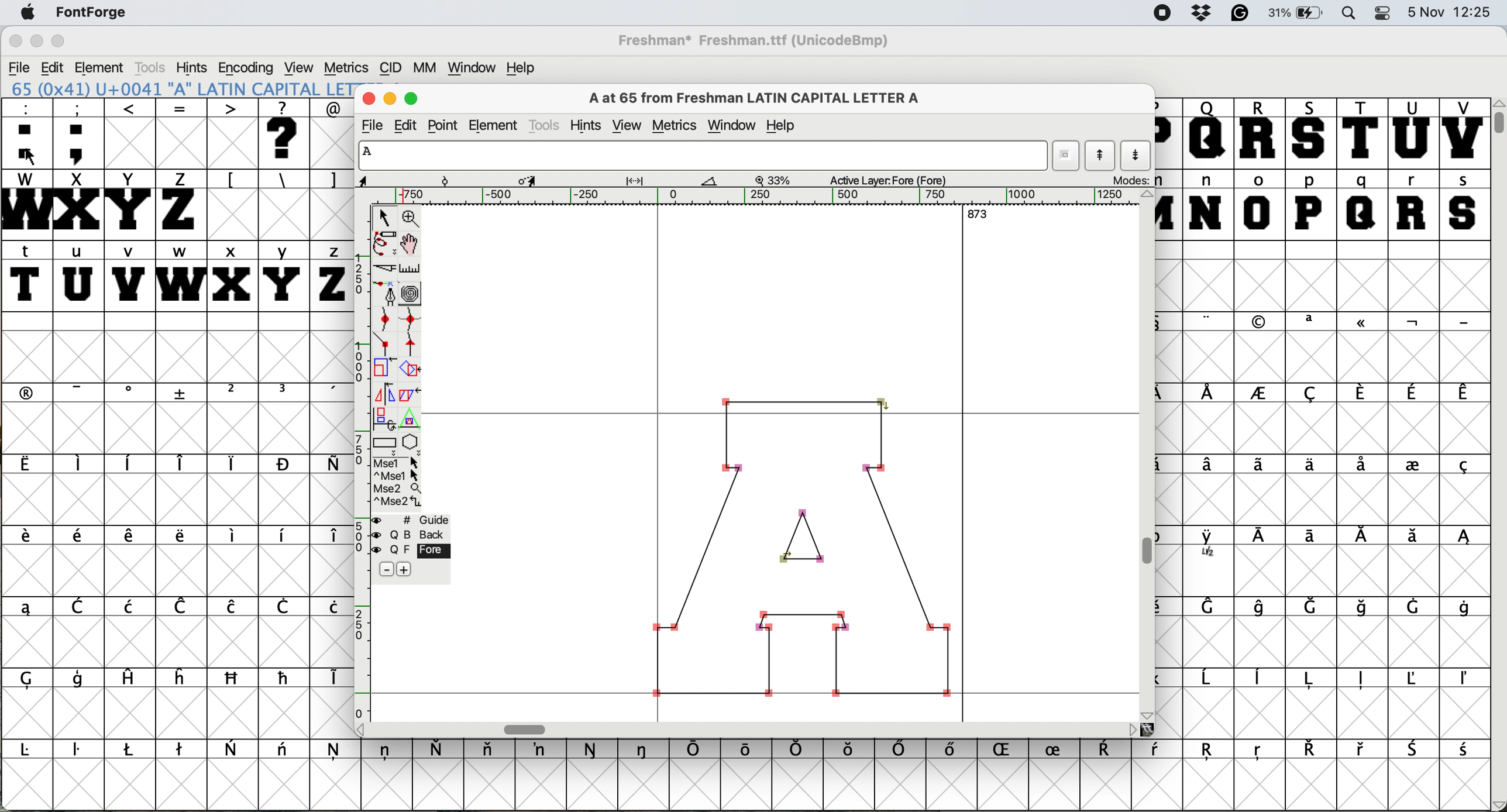  What do you see at coordinates (330, 607) in the screenshot?
I see `symbol` at bounding box center [330, 607].